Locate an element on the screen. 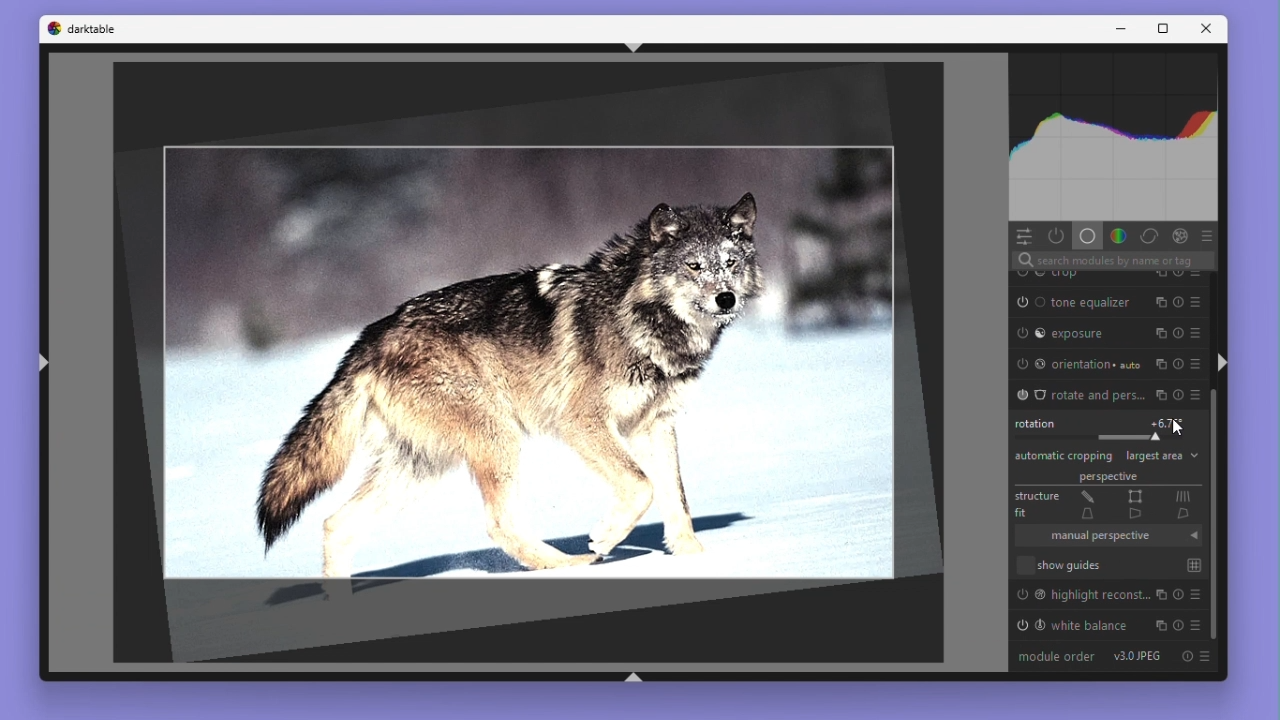 Image resolution: width=1280 pixels, height=720 pixels. Histogram is located at coordinates (1114, 135).